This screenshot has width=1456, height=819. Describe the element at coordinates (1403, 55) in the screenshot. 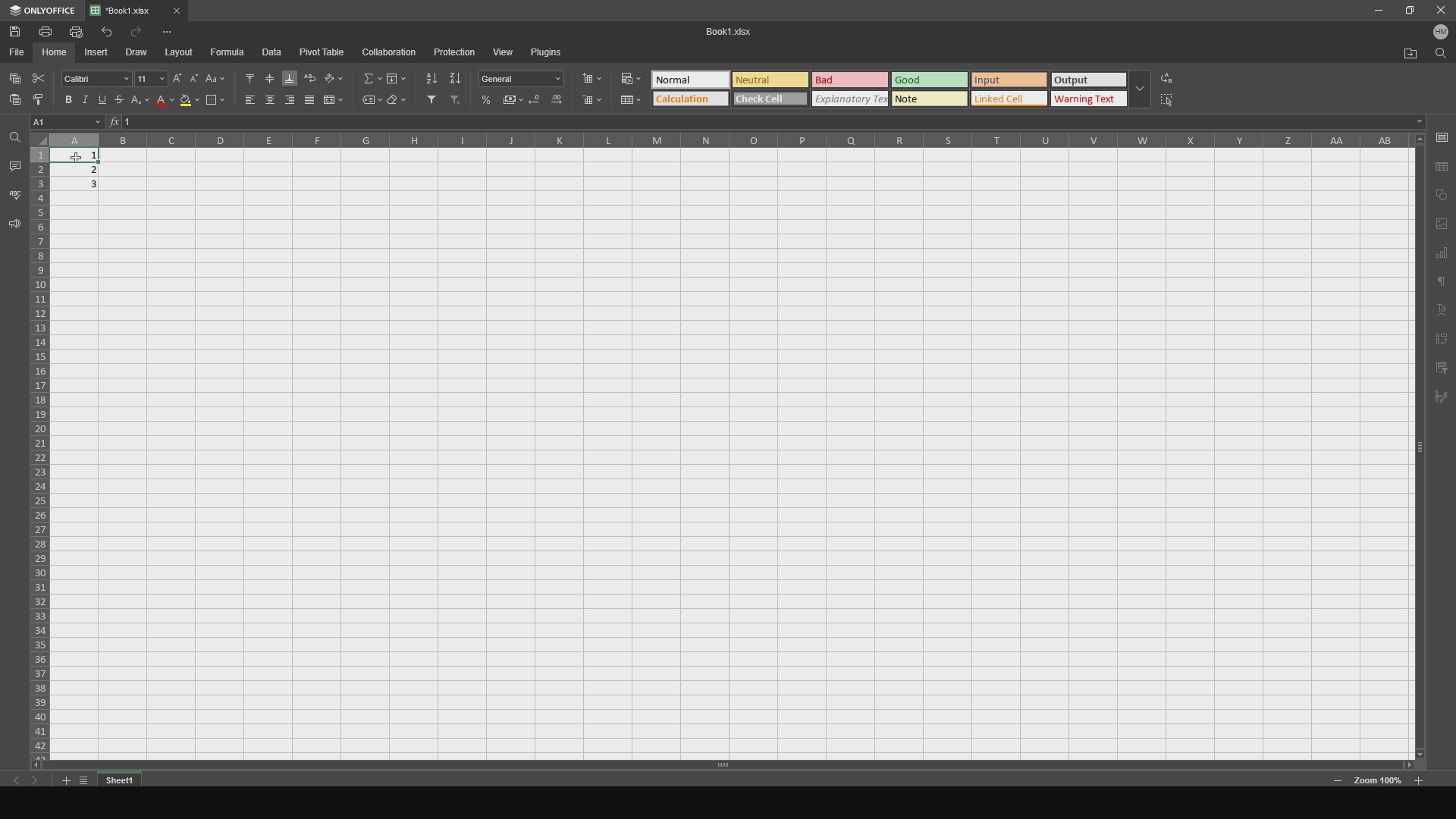

I see `open file location` at that location.